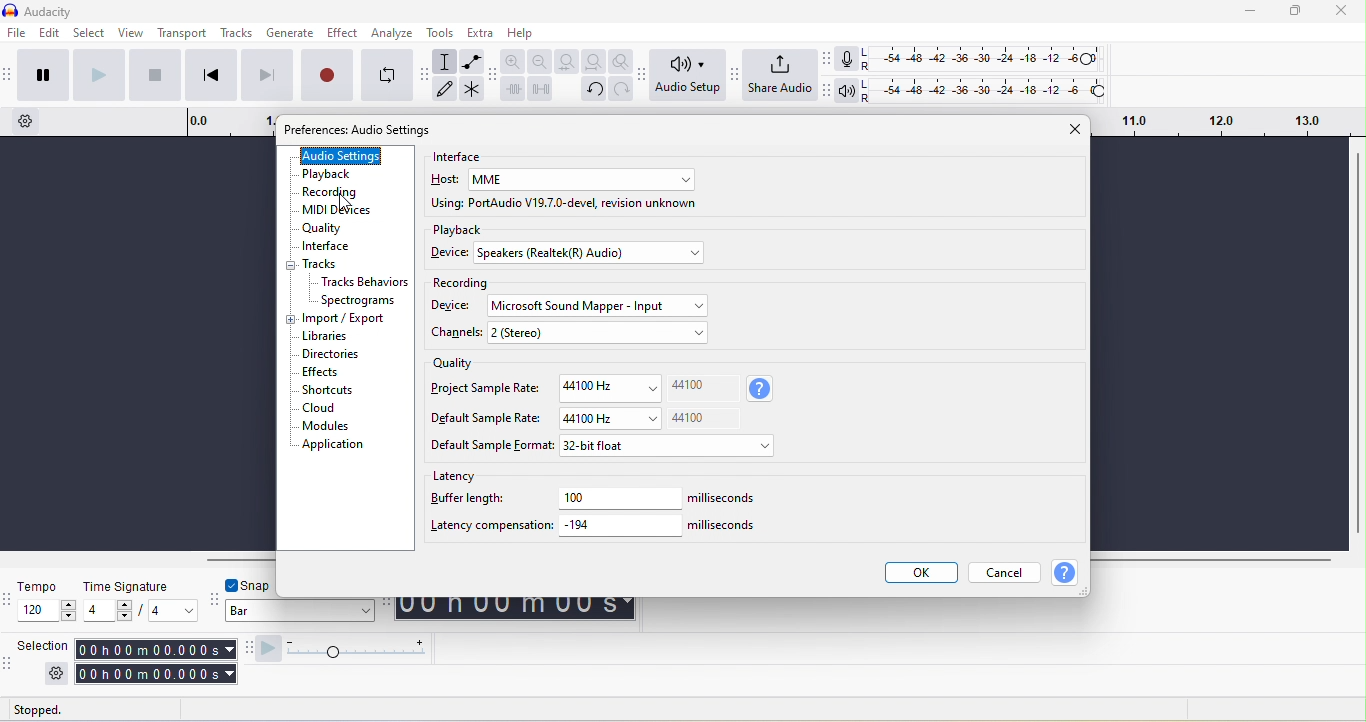  Describe the element at coordinates (362, 130) in the screenshot. I see `preference: audio setting` at that location.